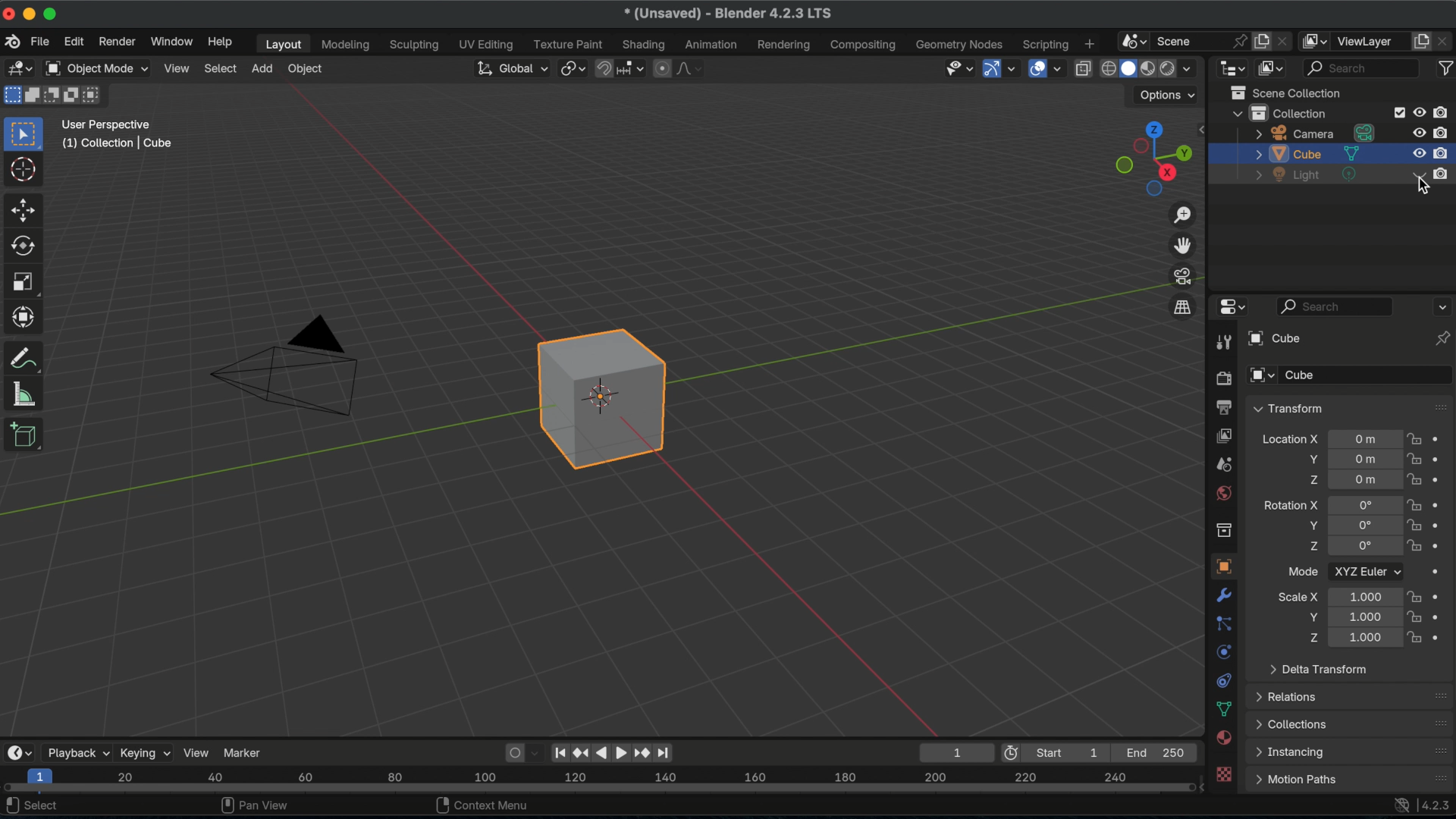 The height and width of the screenshot is (819, 1456). What do you see at coordinates (1362, 617) in the screenshot?
I see `location scale` at bounding box center [1362, 617].